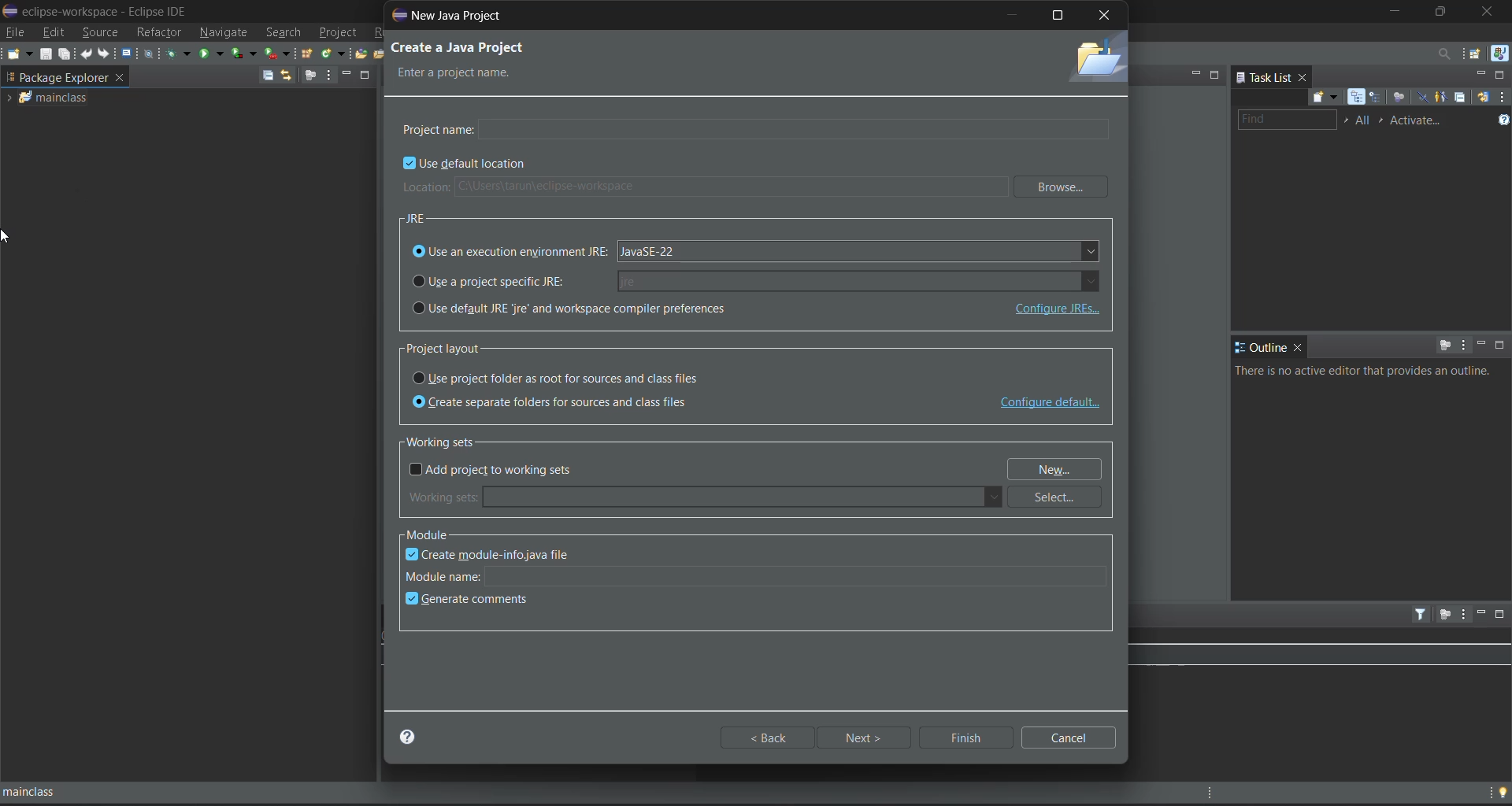 Image resolution: width=1512 pixels, height=806 pixels. What do you see at coordinates (1503, 76) in the screenshot?
I see `maximize` at bounding box center [1503, 76].